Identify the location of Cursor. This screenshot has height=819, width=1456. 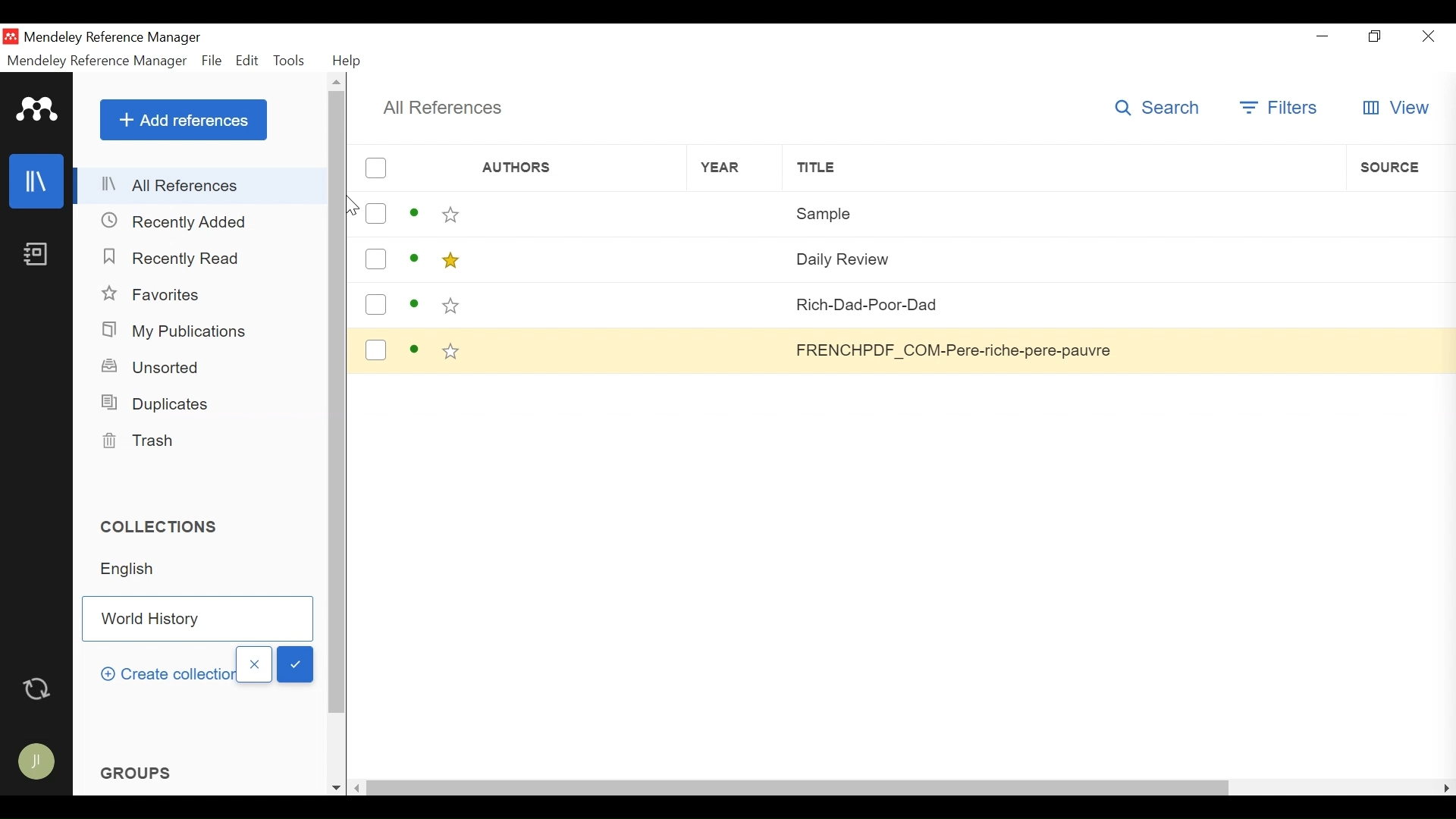
(350, 204).